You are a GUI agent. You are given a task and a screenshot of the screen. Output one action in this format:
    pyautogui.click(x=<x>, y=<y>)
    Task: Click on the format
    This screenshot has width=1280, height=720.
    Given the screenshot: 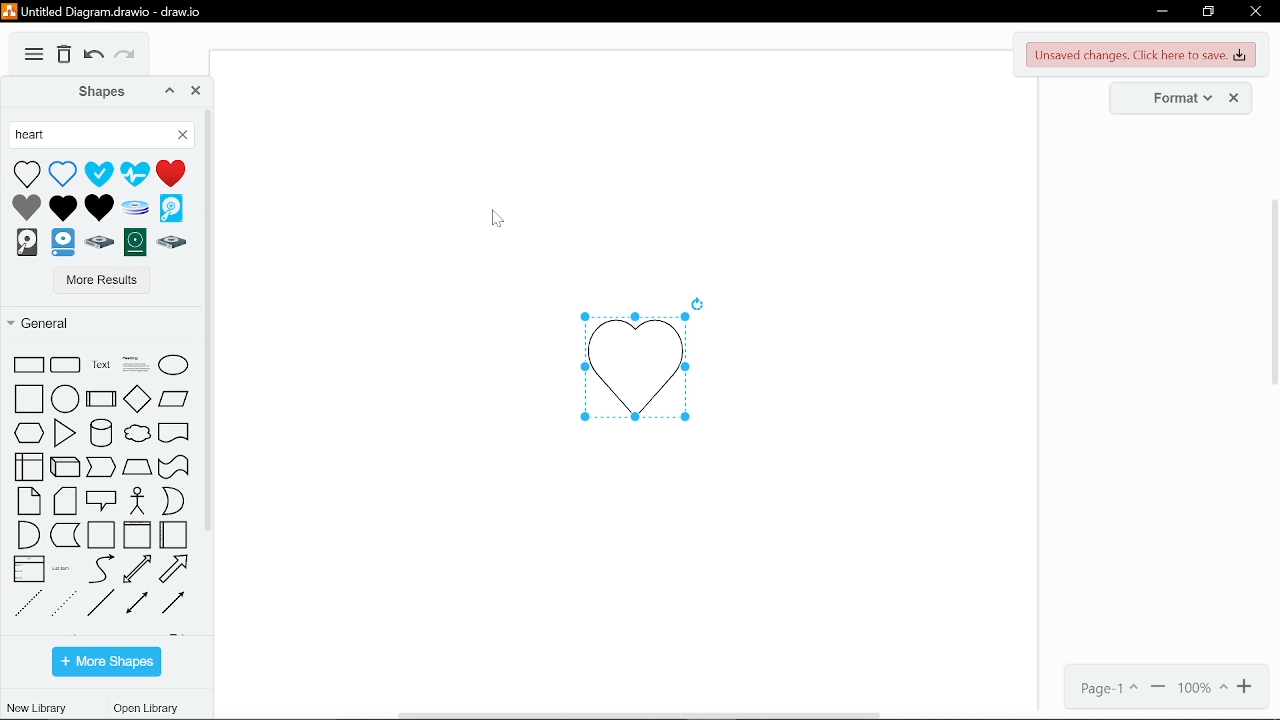 What is the action you would take?
    pyautogui.click(x=1175, y=97)
    